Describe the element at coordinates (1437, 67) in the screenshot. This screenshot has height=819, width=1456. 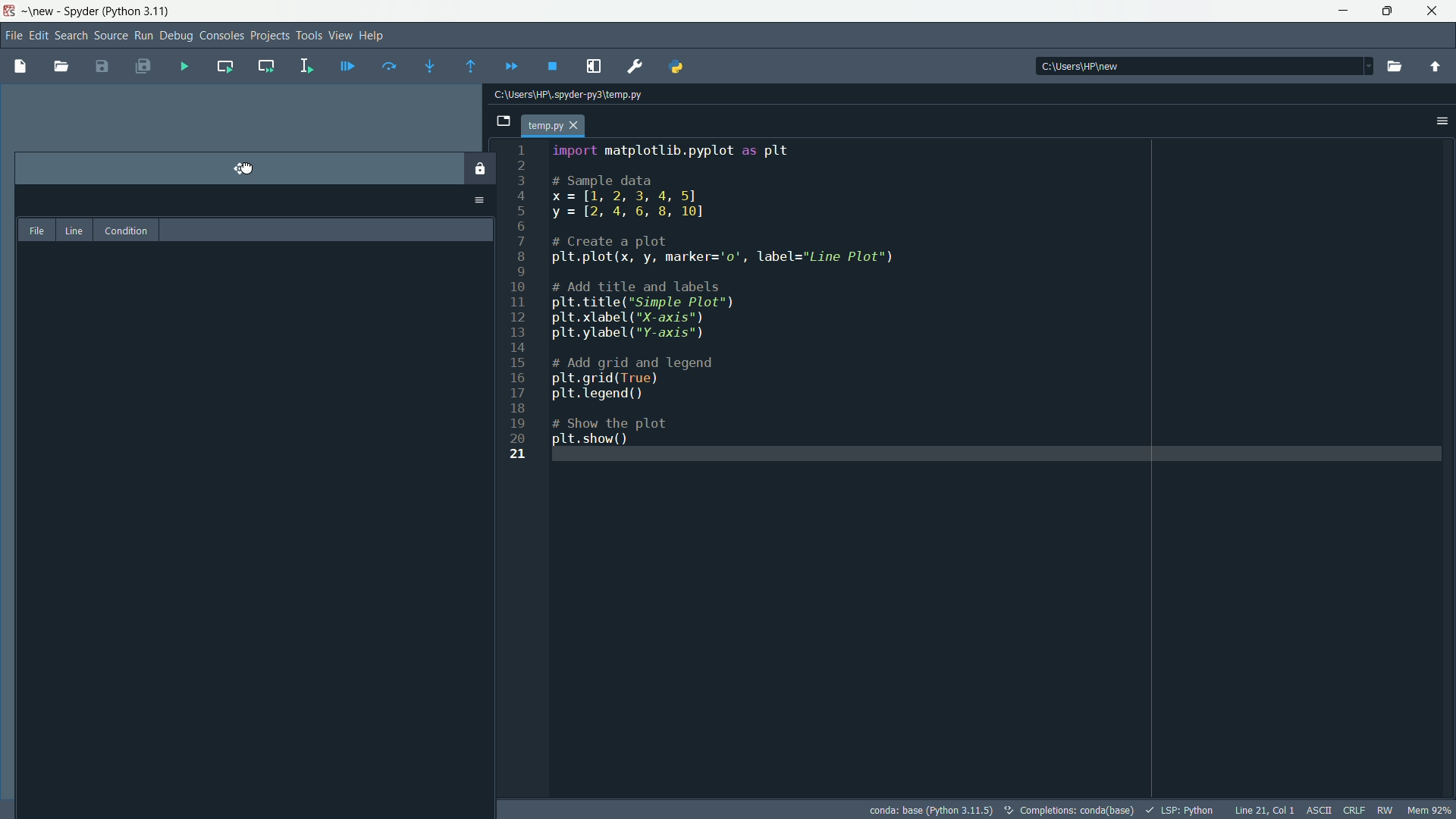
I see `parent directory` at that location.